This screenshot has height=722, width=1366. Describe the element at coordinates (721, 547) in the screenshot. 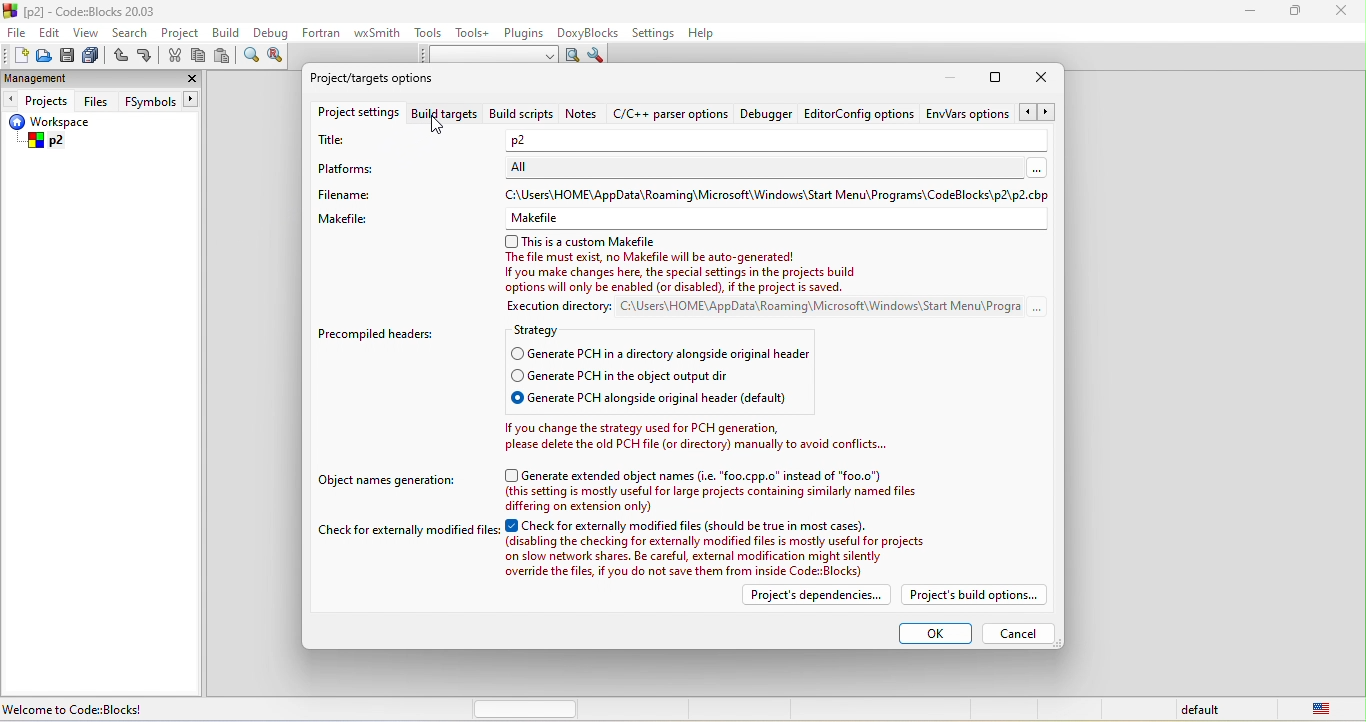

I see `. 8 Check for externally modified files (should be true in most cases).(disabling the checking for externally modified files is mostly useful for projects on slow network shares. Be careful, external modification might silently override the files, if you do not save them from inside Code::Blocks).` at that location.